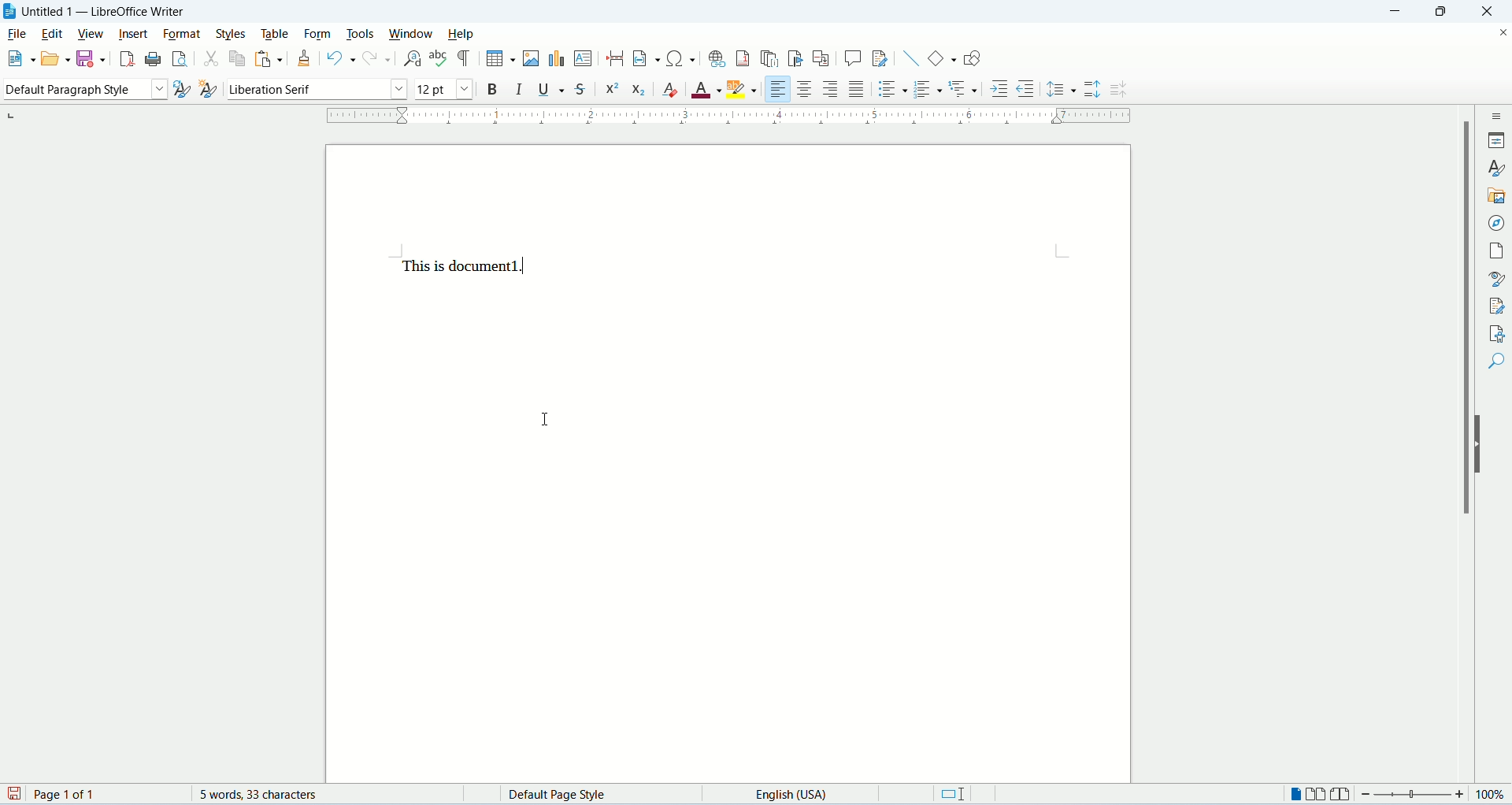 The height and width of the screenshot is (805, 1512). I want to click on clone formatting, so click(306, 60).